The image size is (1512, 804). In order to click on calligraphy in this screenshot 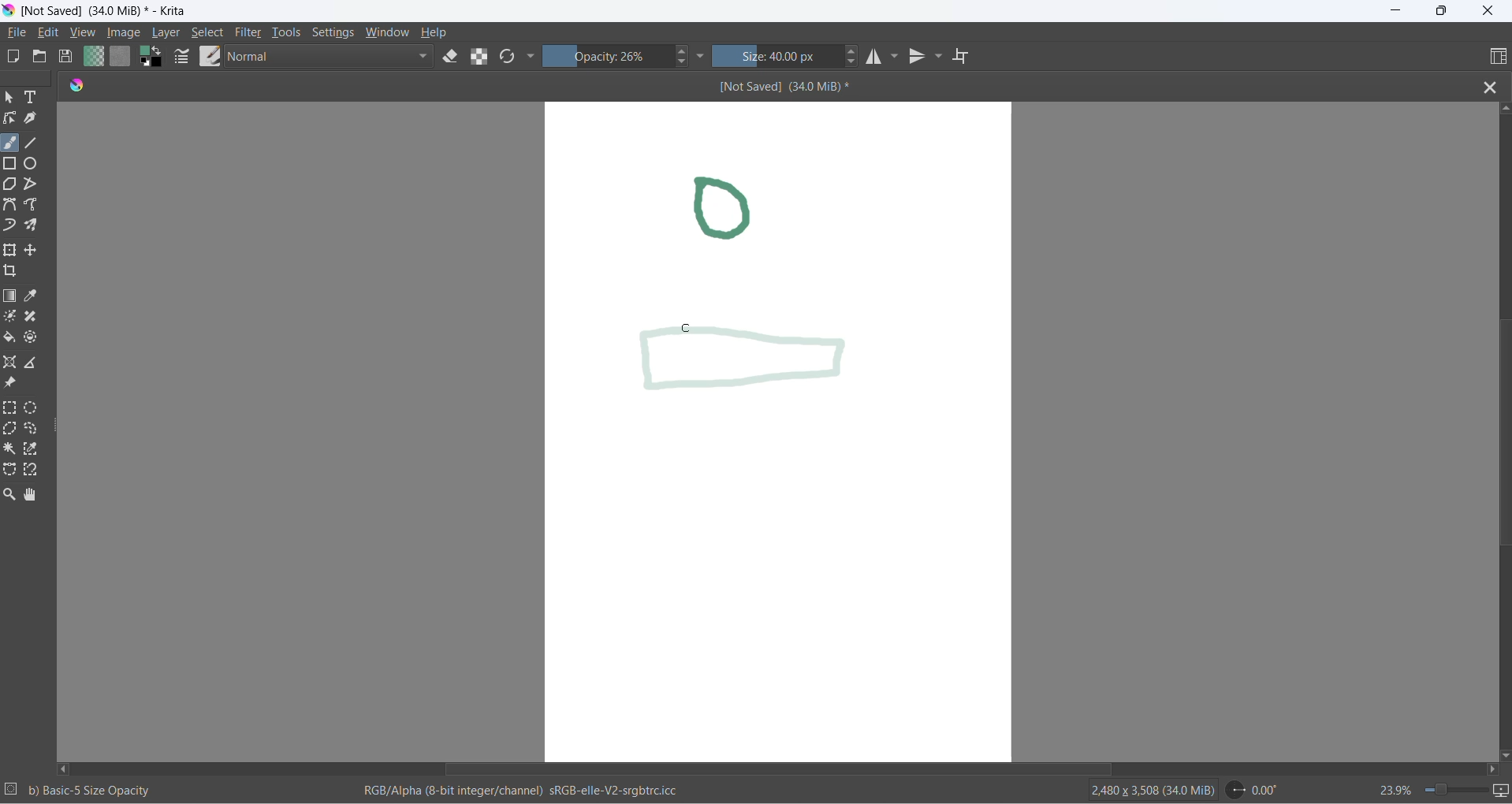, I will do `click(37, 120)`.